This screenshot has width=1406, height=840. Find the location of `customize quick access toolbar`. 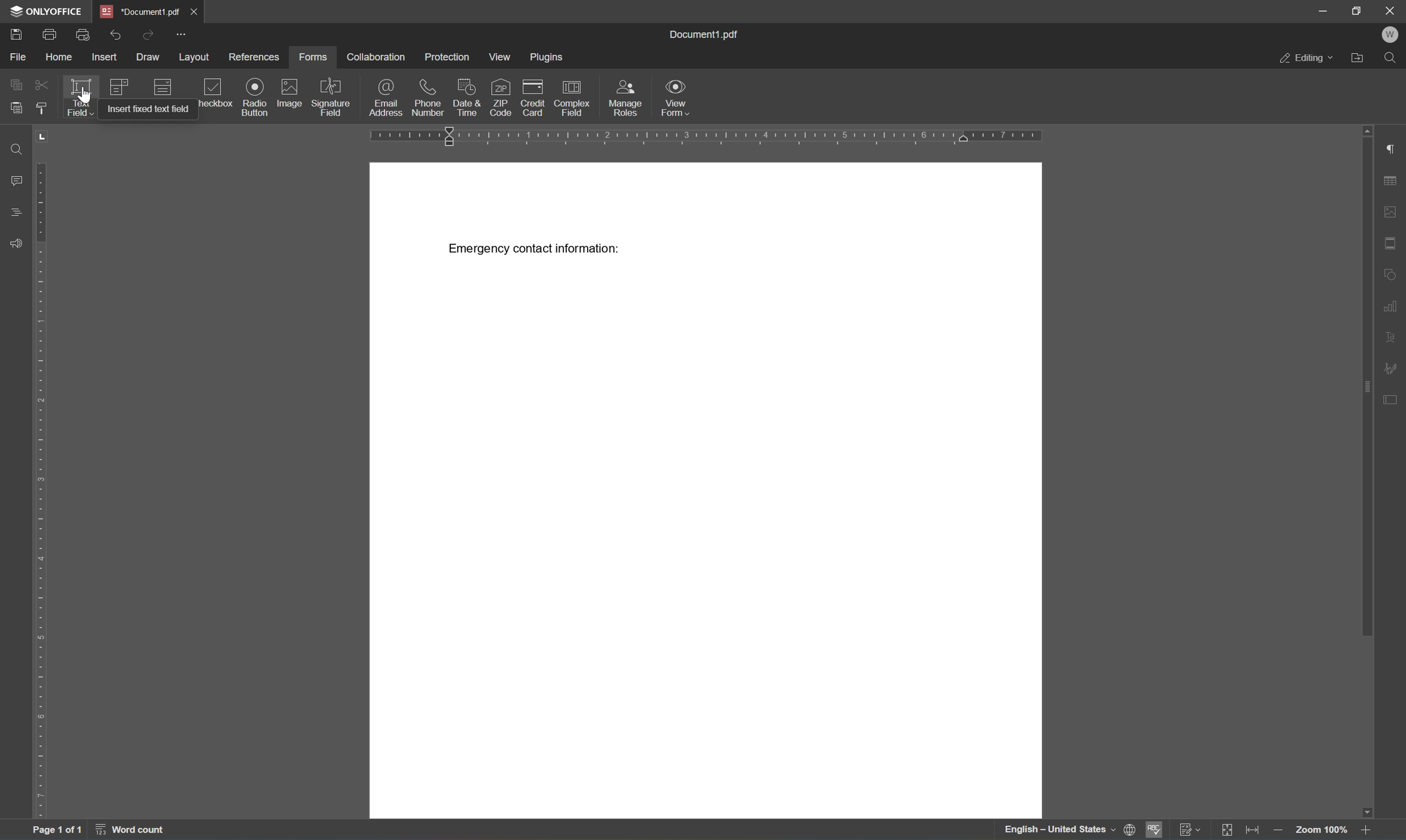

customize quick access toolbar is located at coordinates (182, 34).